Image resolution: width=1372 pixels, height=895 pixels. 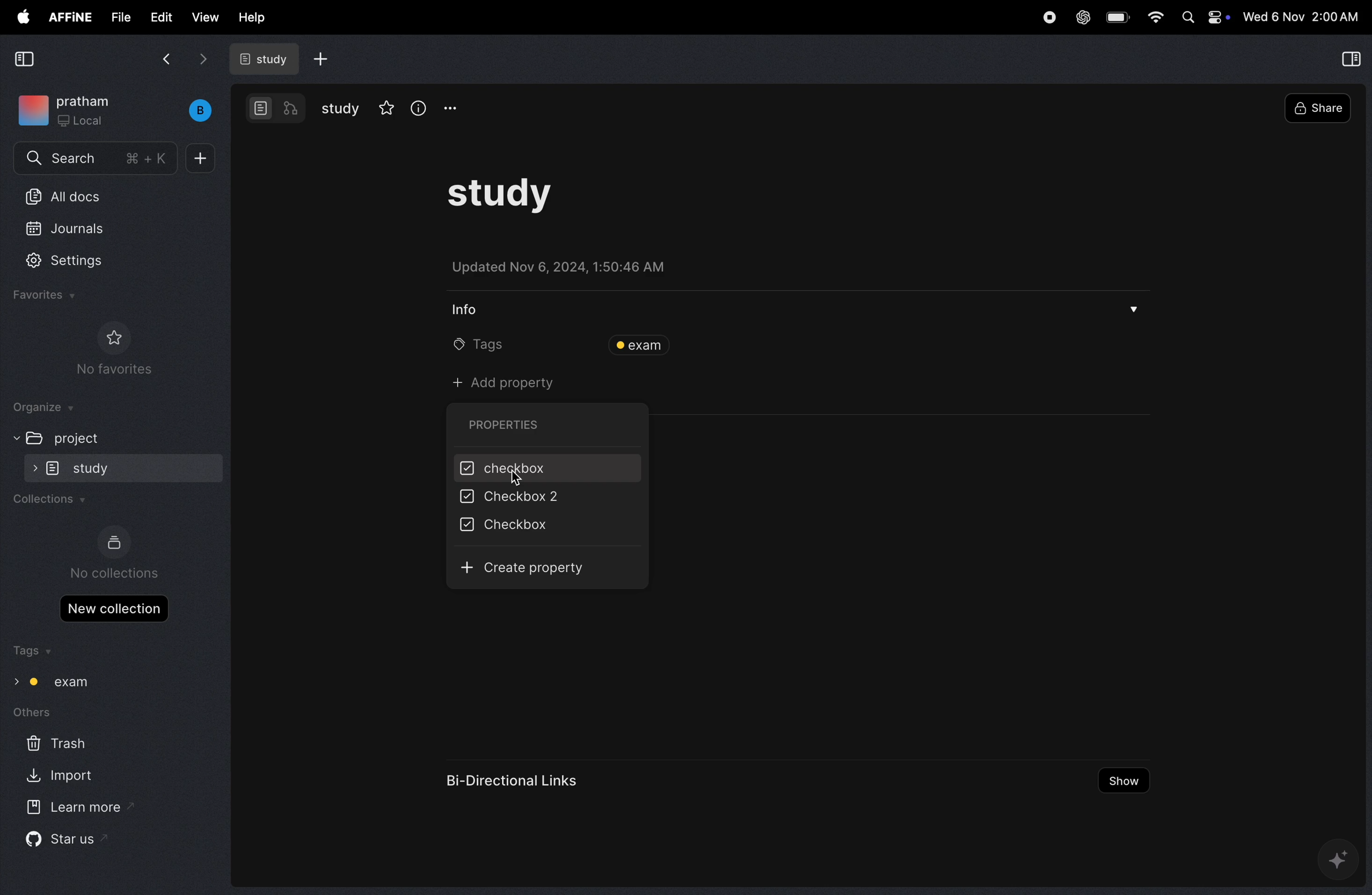 I want to click on back, so click(x=163, y=61).